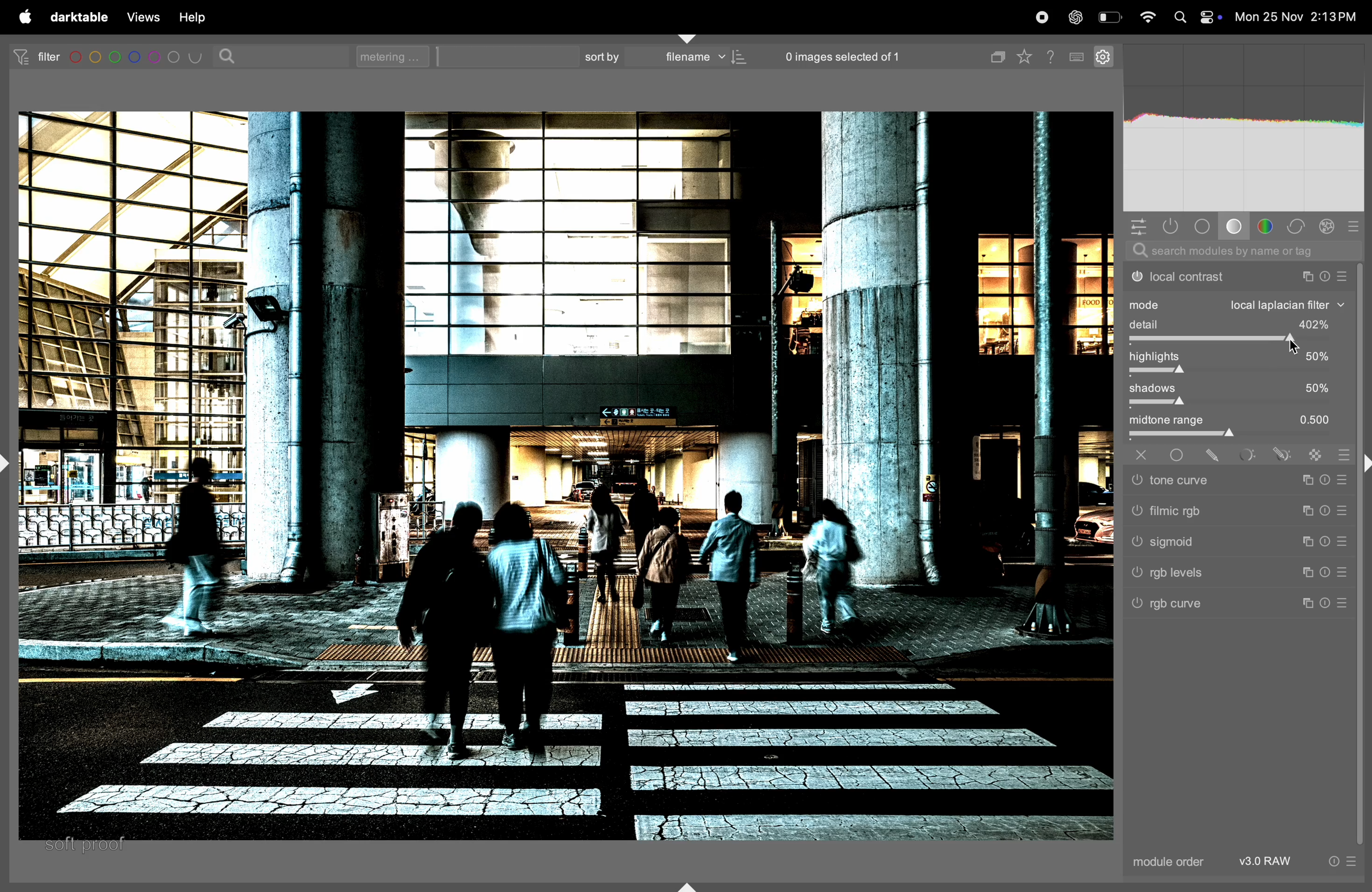 The height and width of the screenshot is (892, 1372). I want to click on help, so click(193, 17).